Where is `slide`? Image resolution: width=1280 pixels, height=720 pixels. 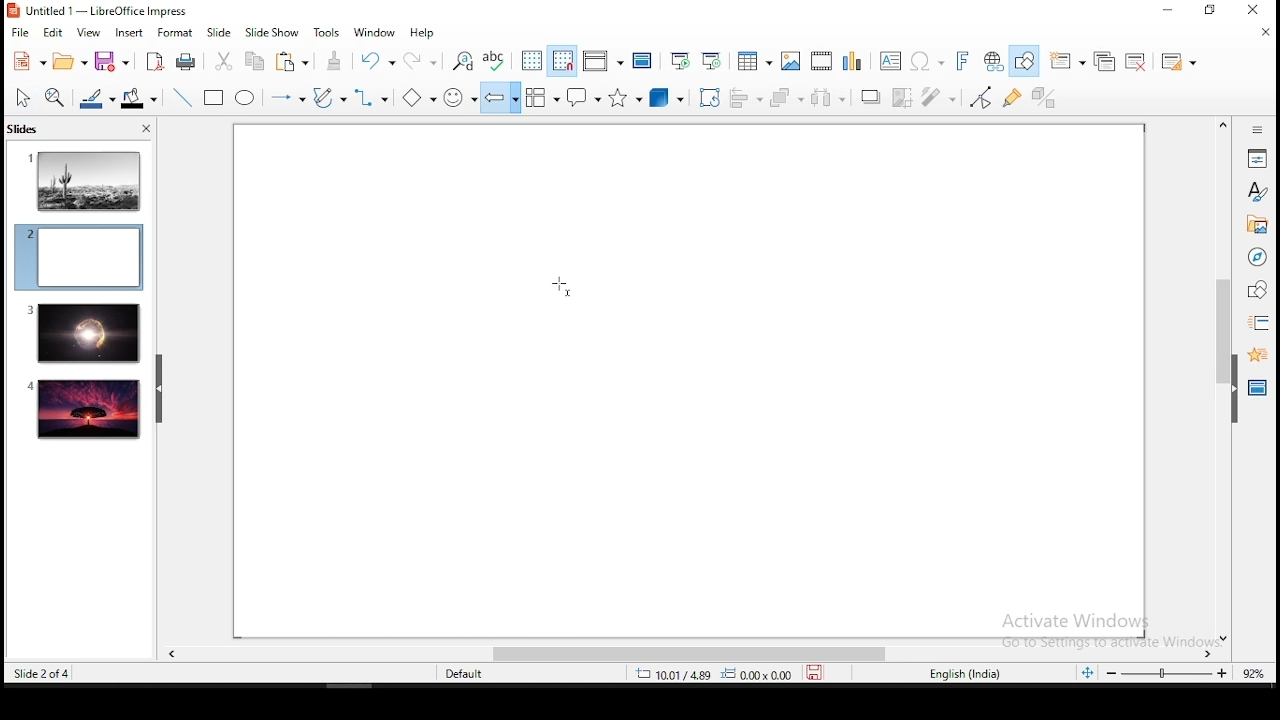 slide is located at coordinates (217, 33).